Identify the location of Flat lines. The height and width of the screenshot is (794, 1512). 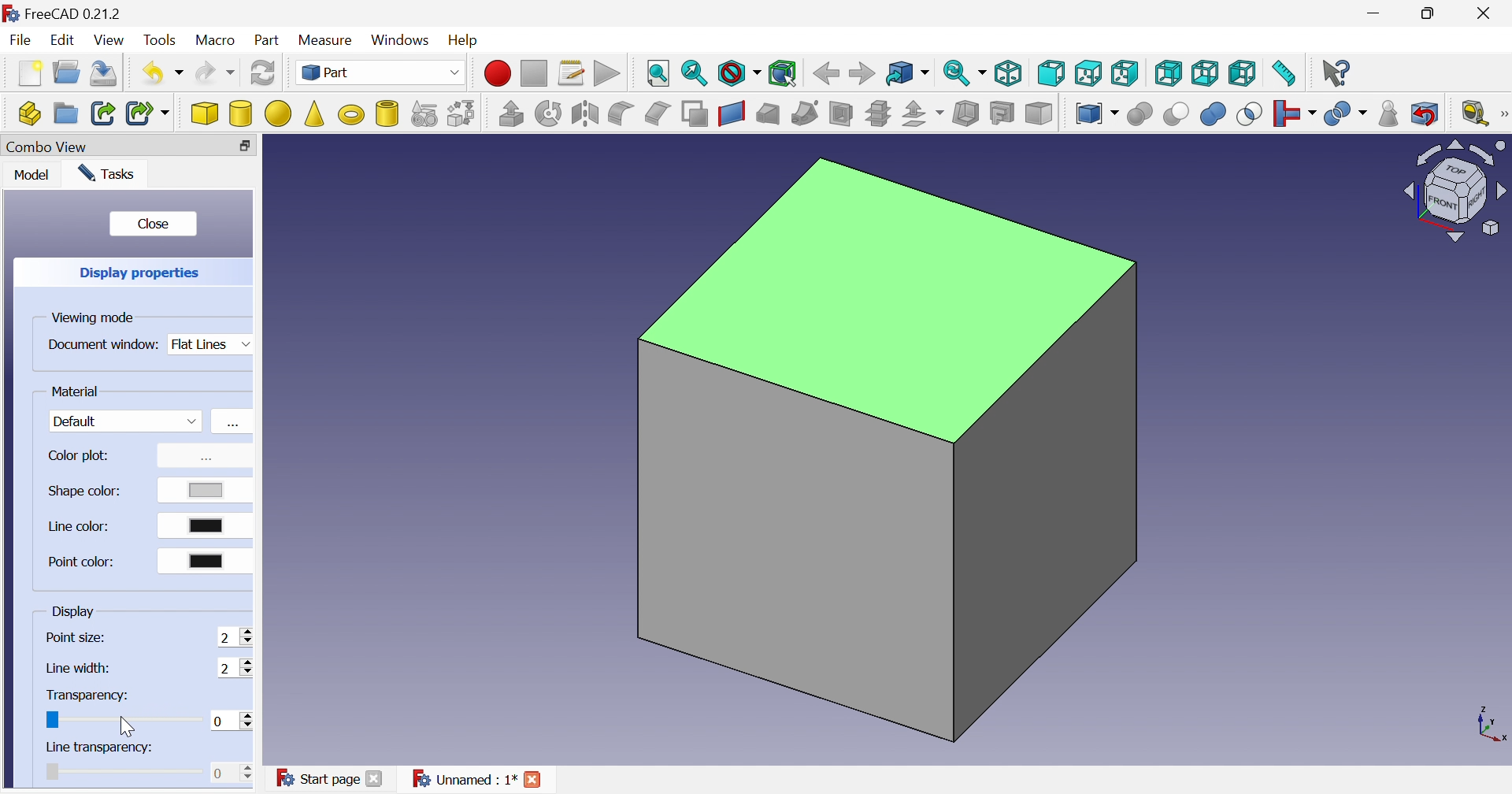
(213, 347).